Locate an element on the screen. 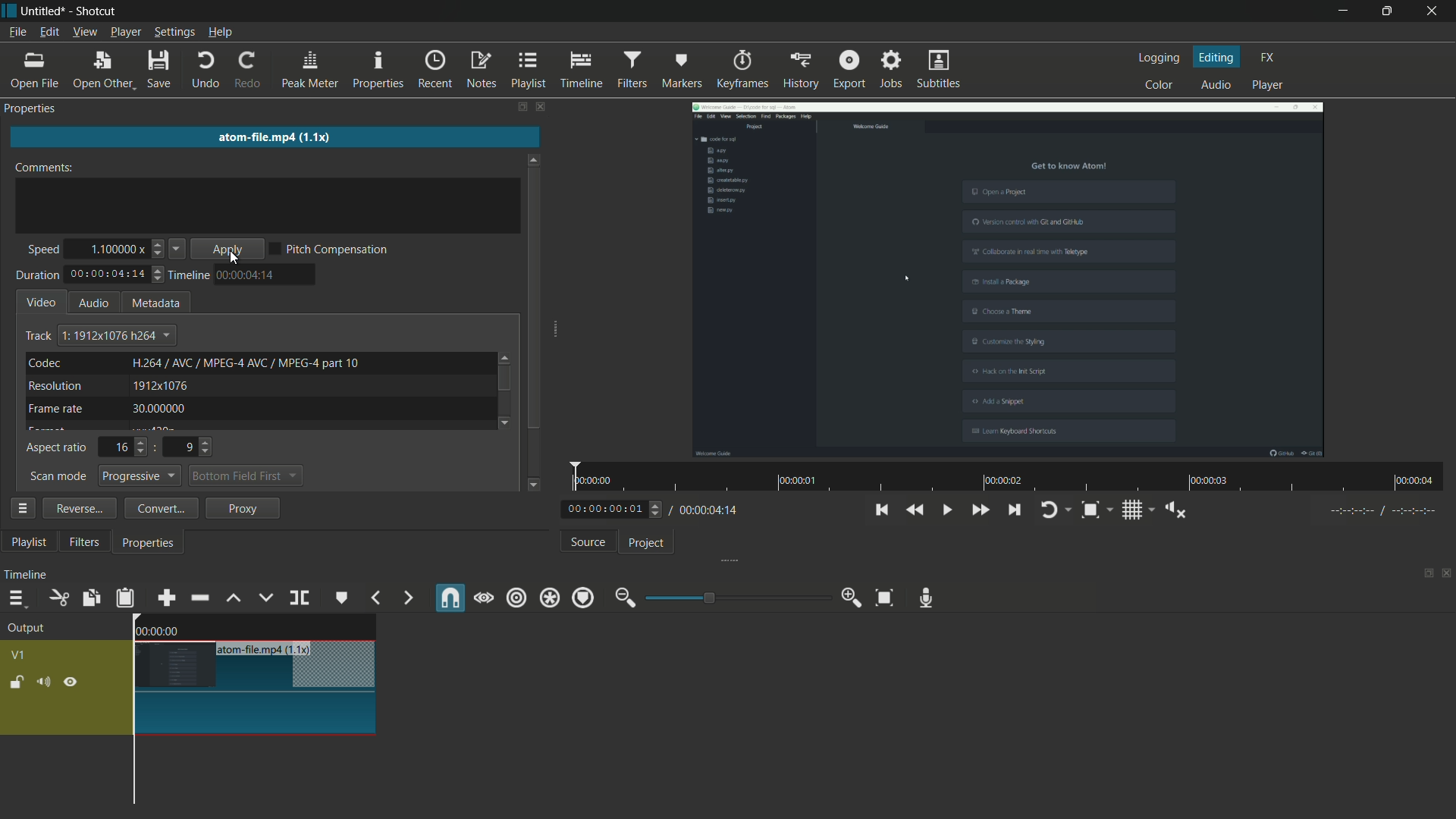  quickly play forward is located at coordinates (979, 510).